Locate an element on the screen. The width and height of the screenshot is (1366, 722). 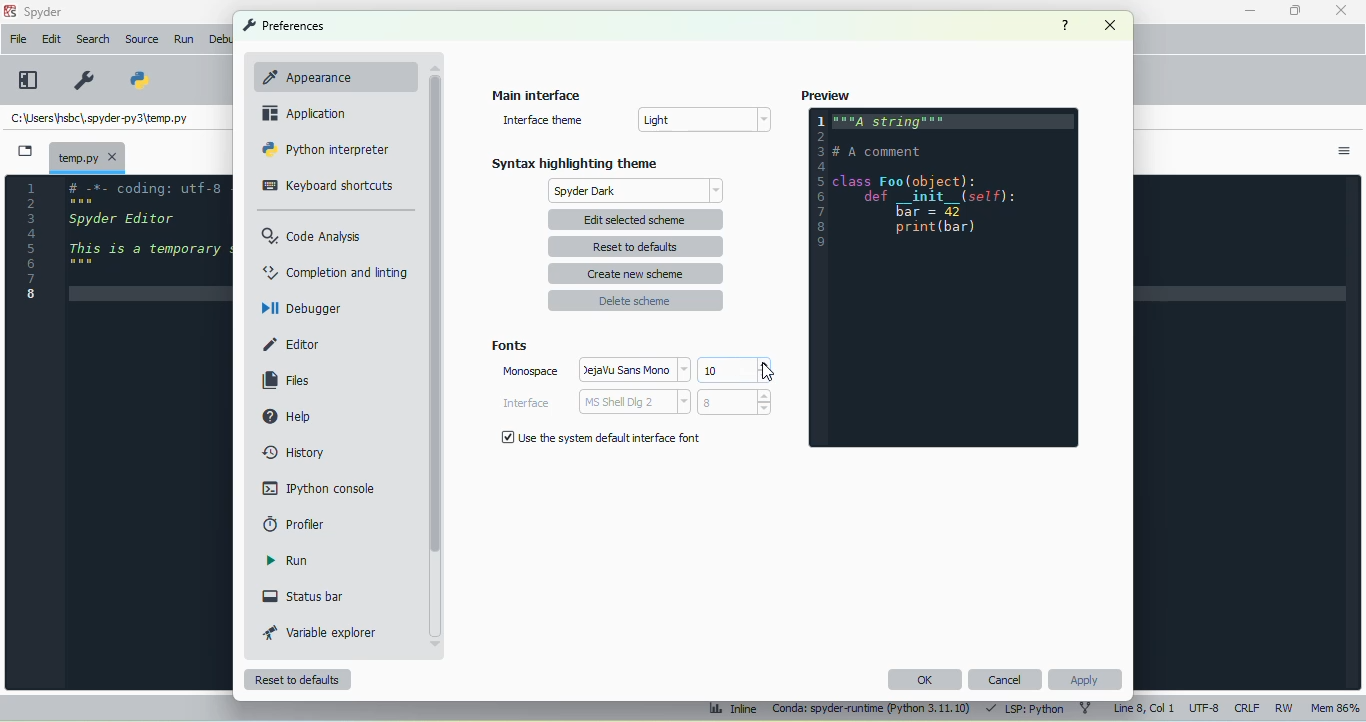
line 8, col 1 is located at coordinates (1145, 708).